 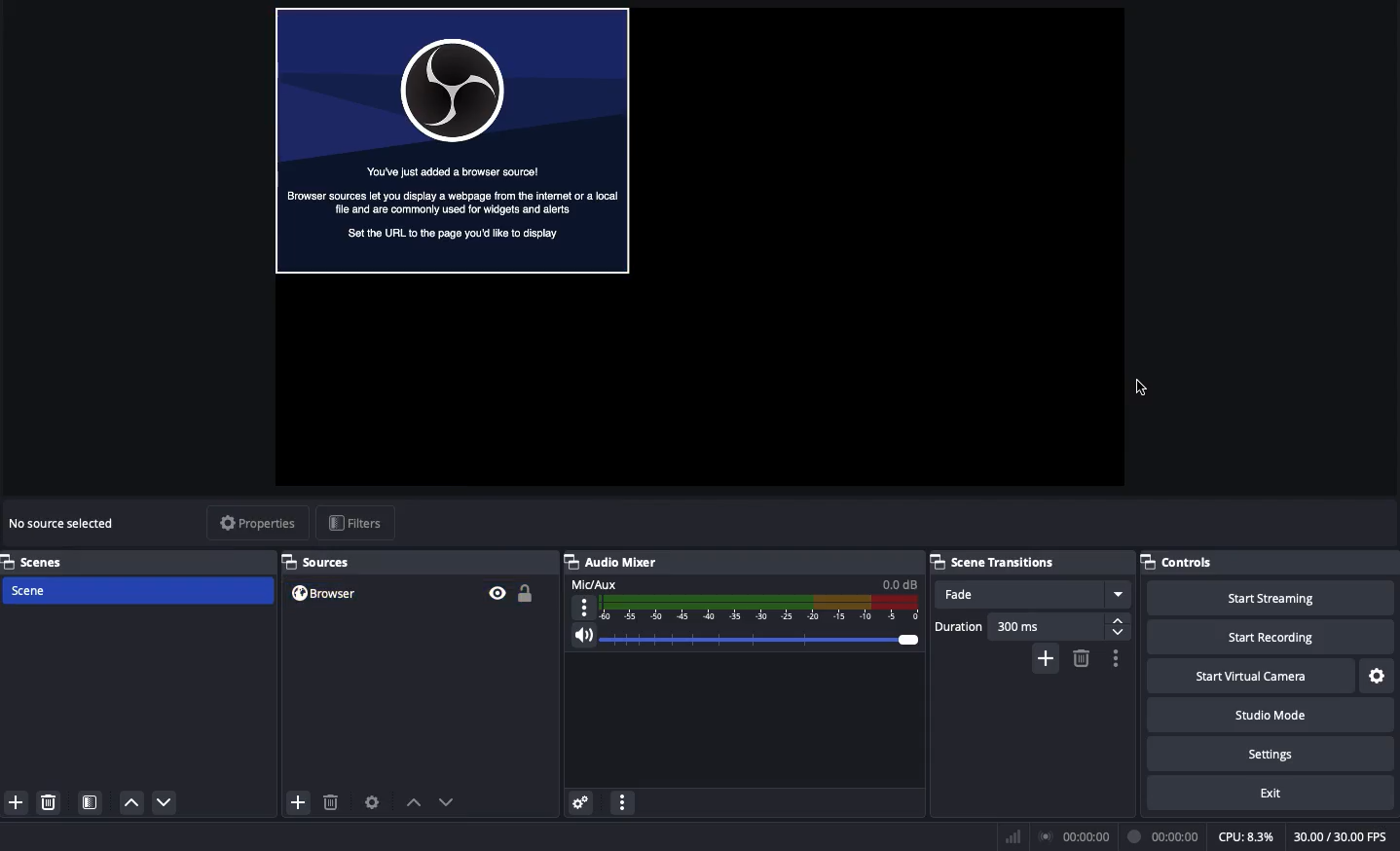 I want to click on Scene transitions, so click(x=994, y=563).